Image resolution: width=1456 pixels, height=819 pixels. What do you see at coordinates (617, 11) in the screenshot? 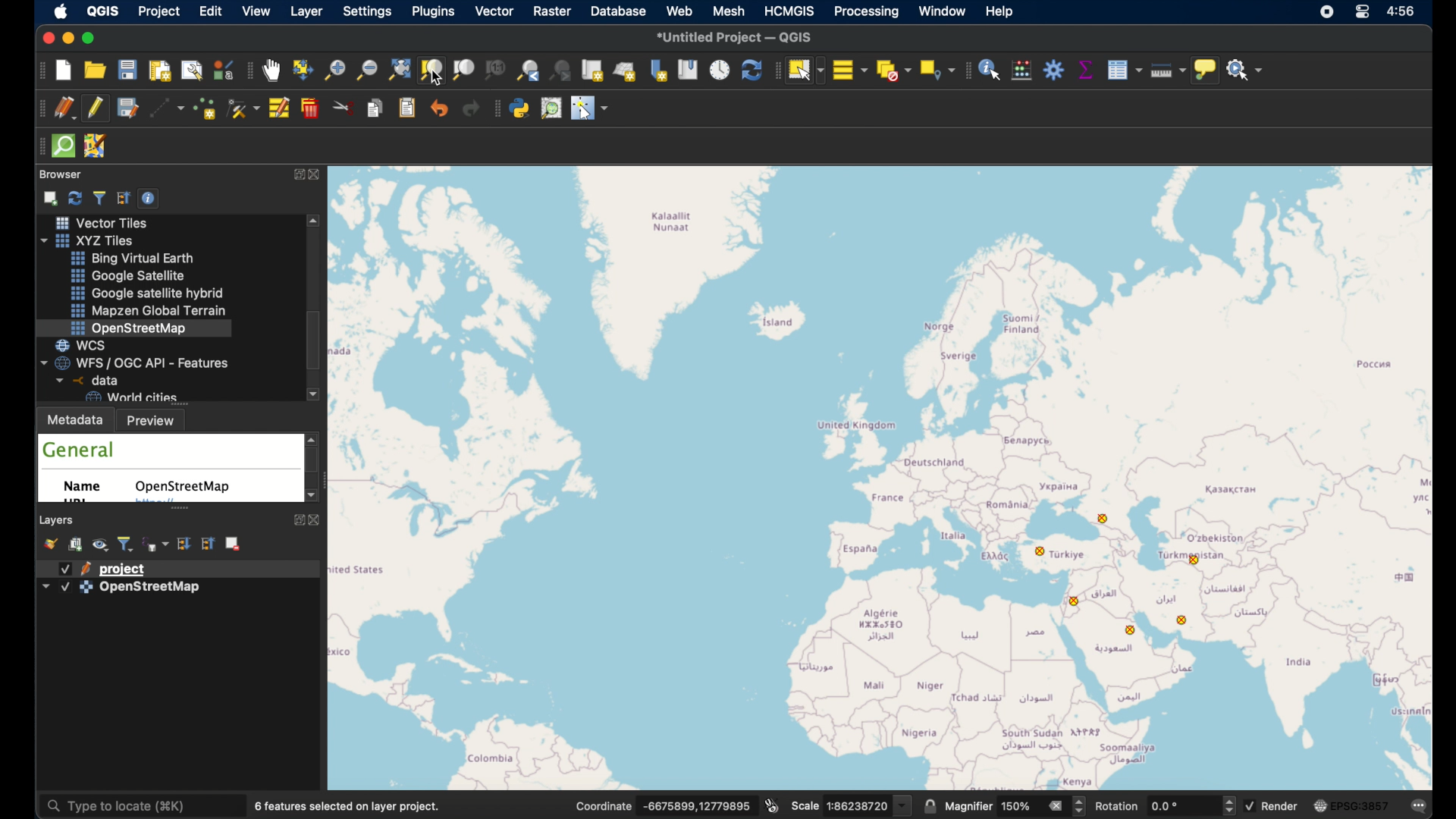
I see `database` at bounding box center [617, 11].